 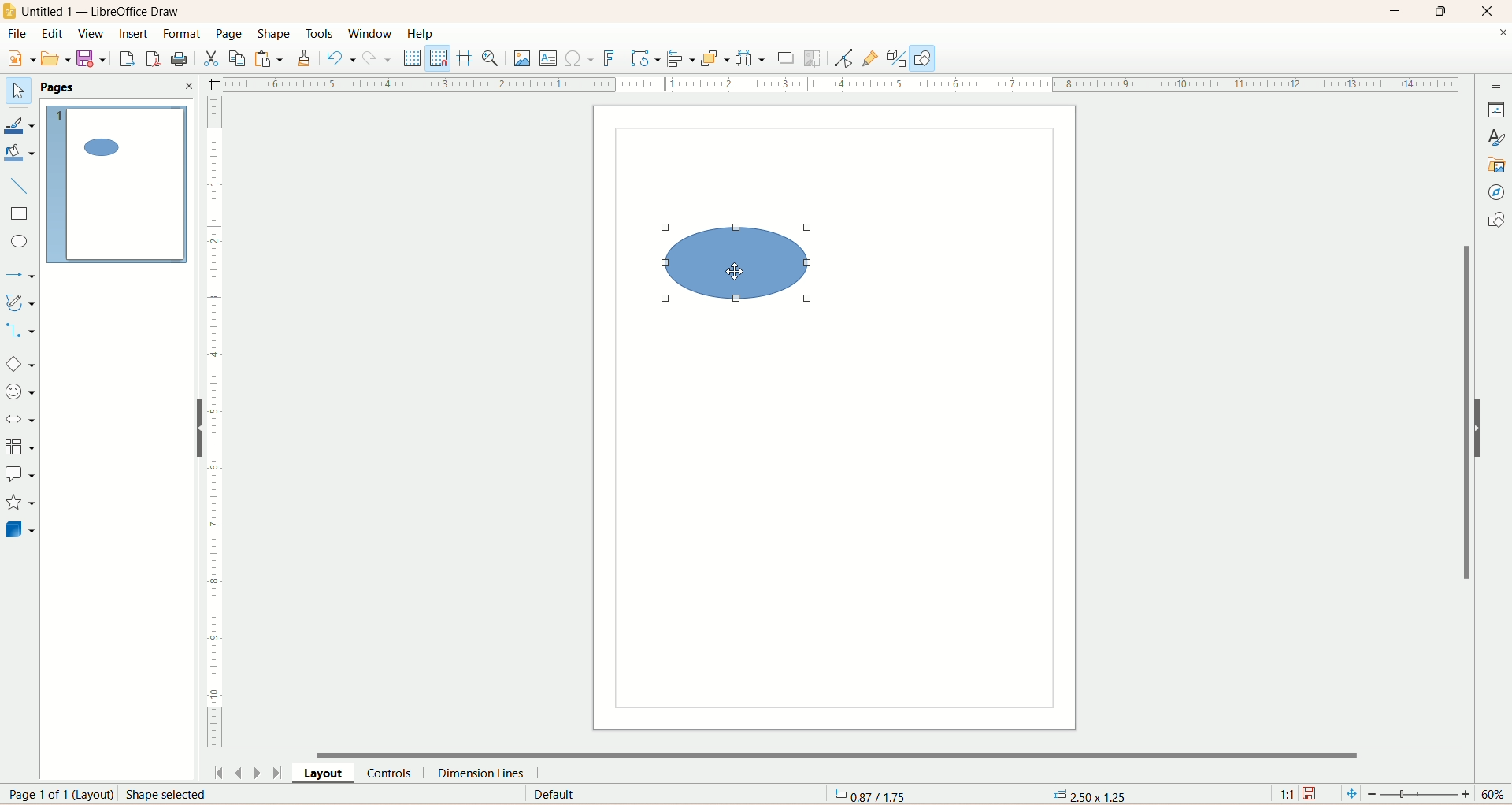 I want to click on allign, so click(x=679, y=61).